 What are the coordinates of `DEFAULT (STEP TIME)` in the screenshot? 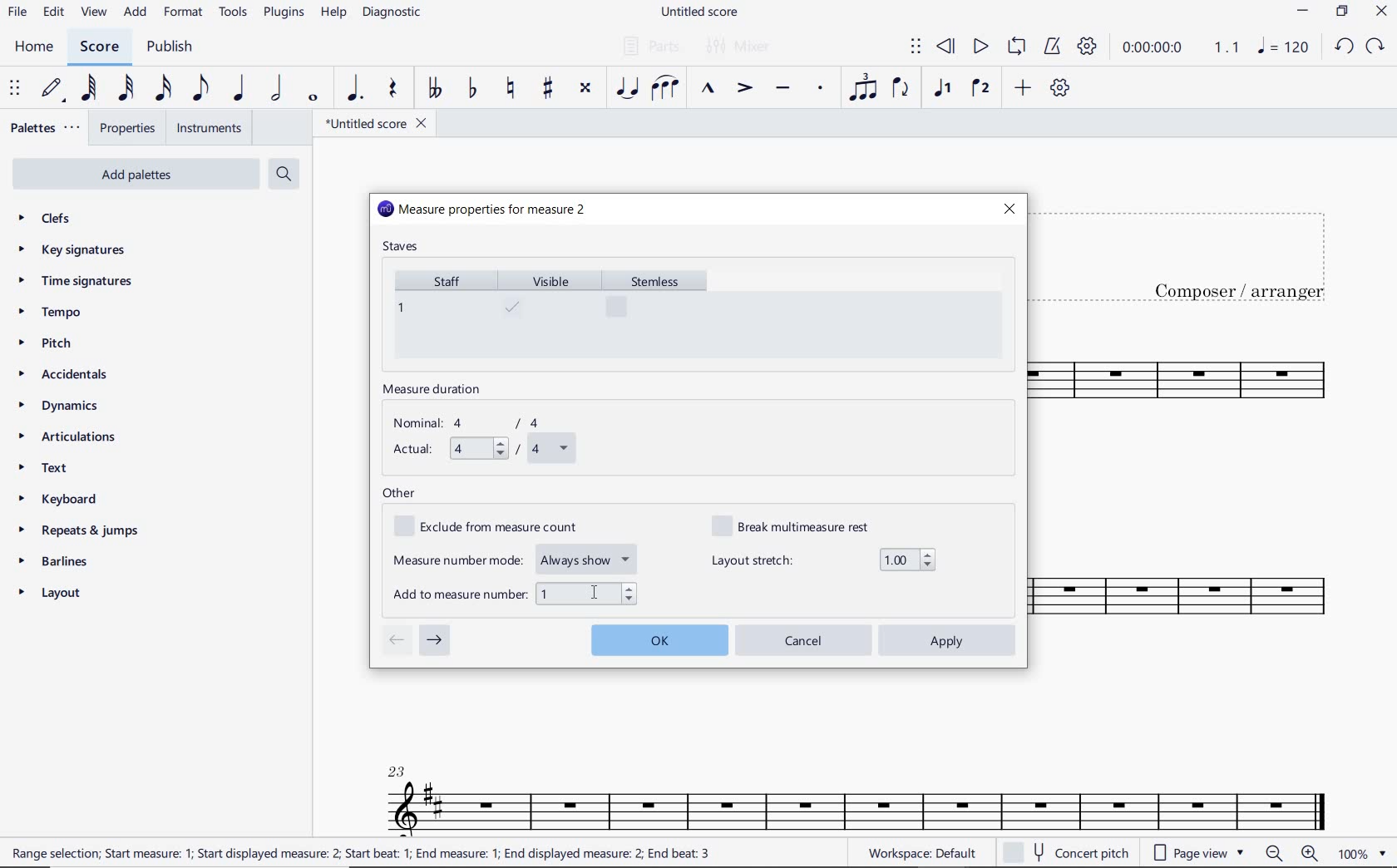 It's located at (54, 89).